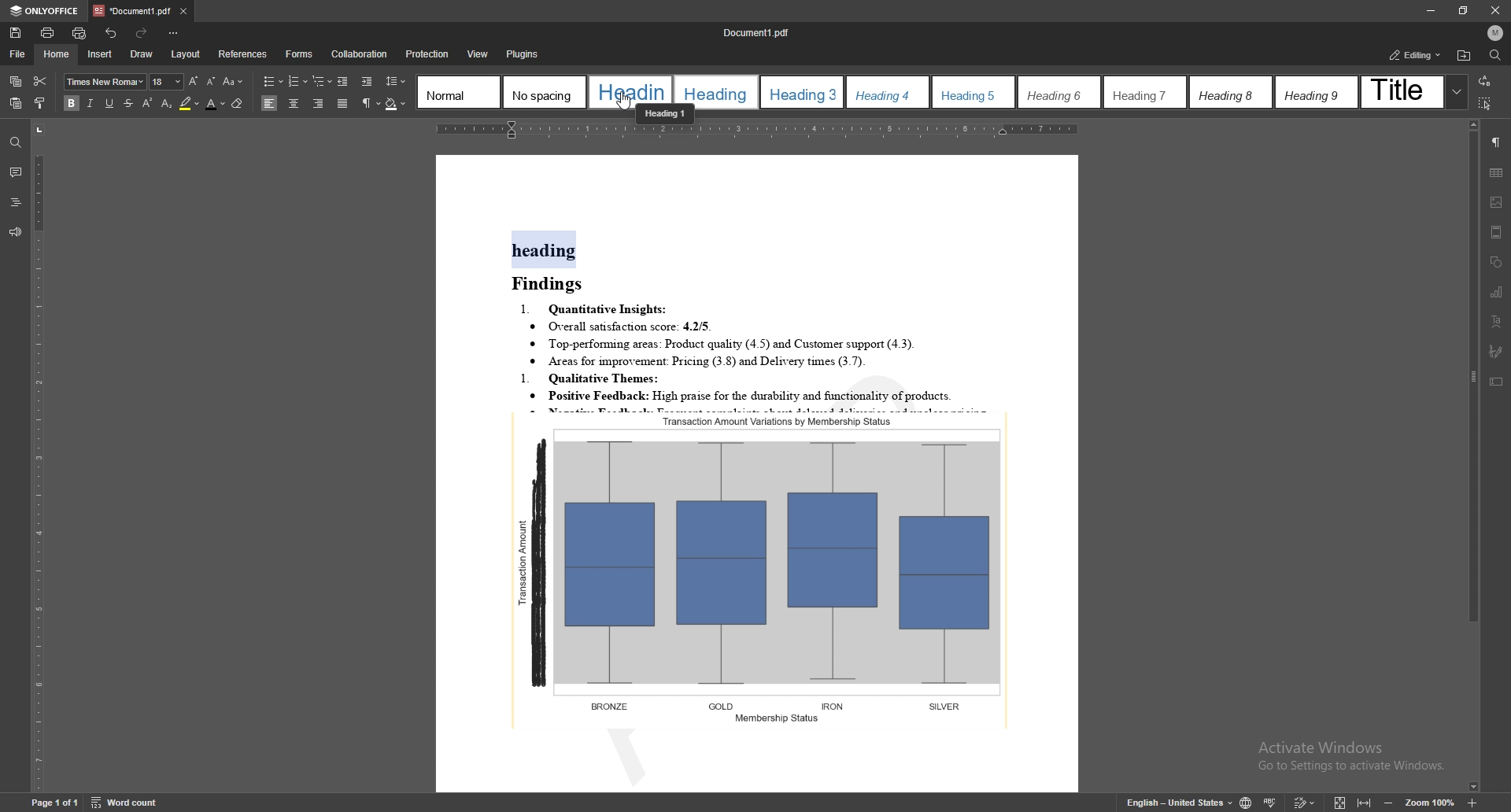 This screenshot has height=812, width=1511. What do you see at coordinates (1495, 33) in the screenshot?
I see `profile` at bounding box center [1495, 33].